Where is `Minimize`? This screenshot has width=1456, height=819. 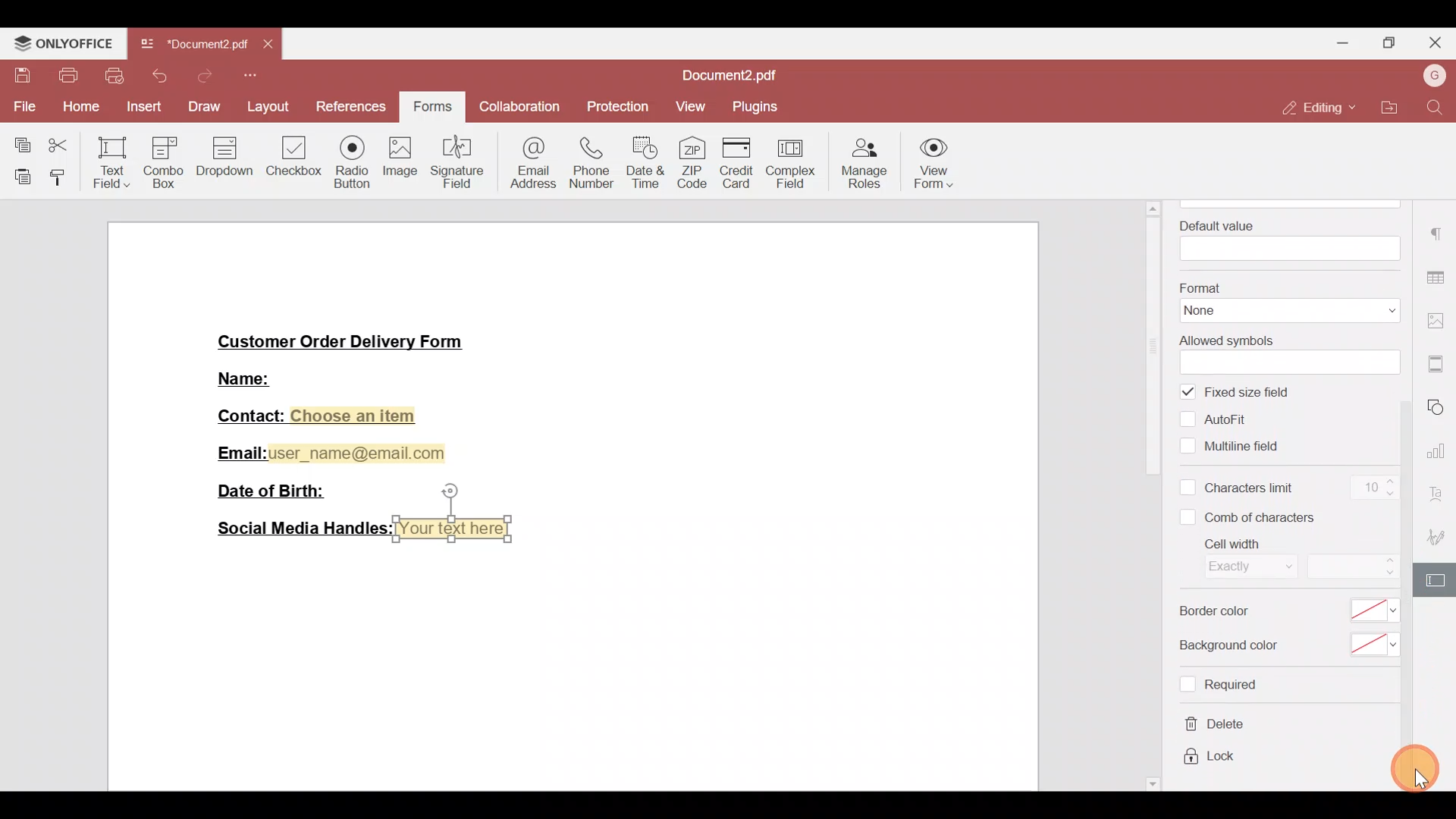
Minimize is located at coordinates (1343, 42).